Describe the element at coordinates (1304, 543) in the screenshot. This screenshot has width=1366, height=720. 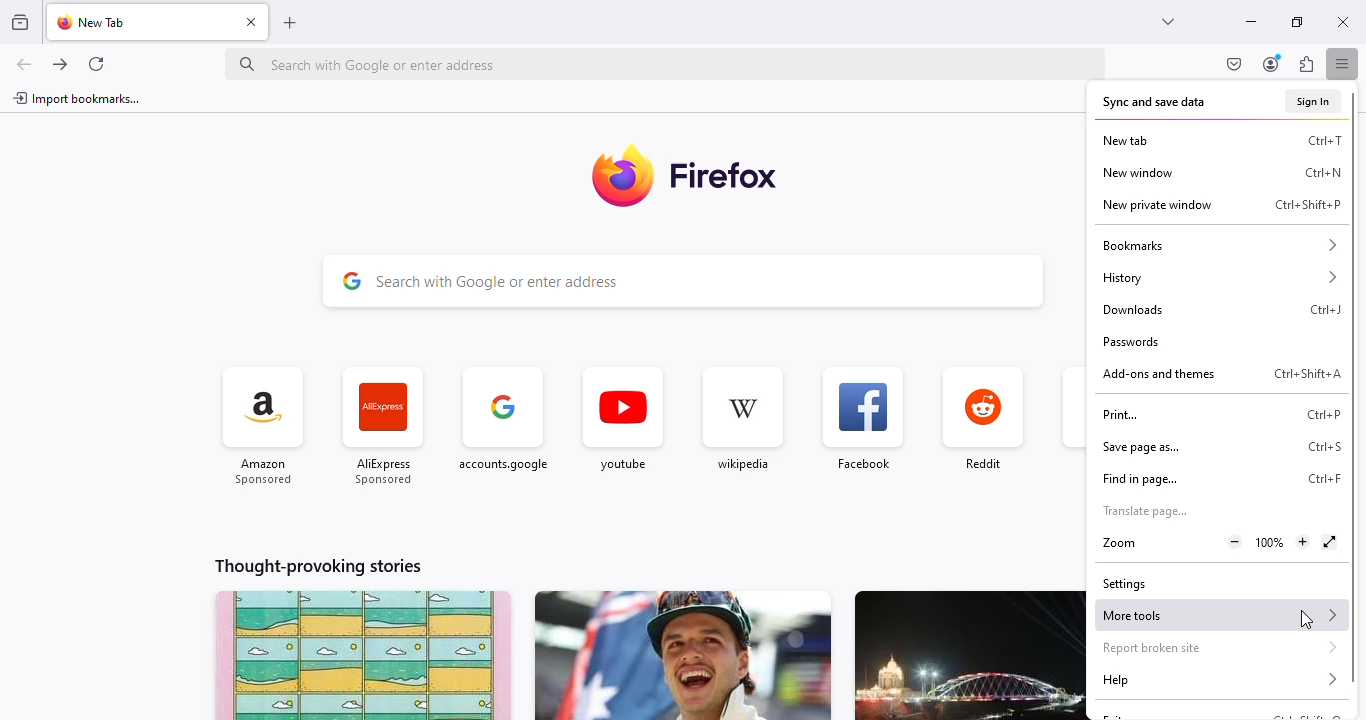
I see `zoom in` at that location.